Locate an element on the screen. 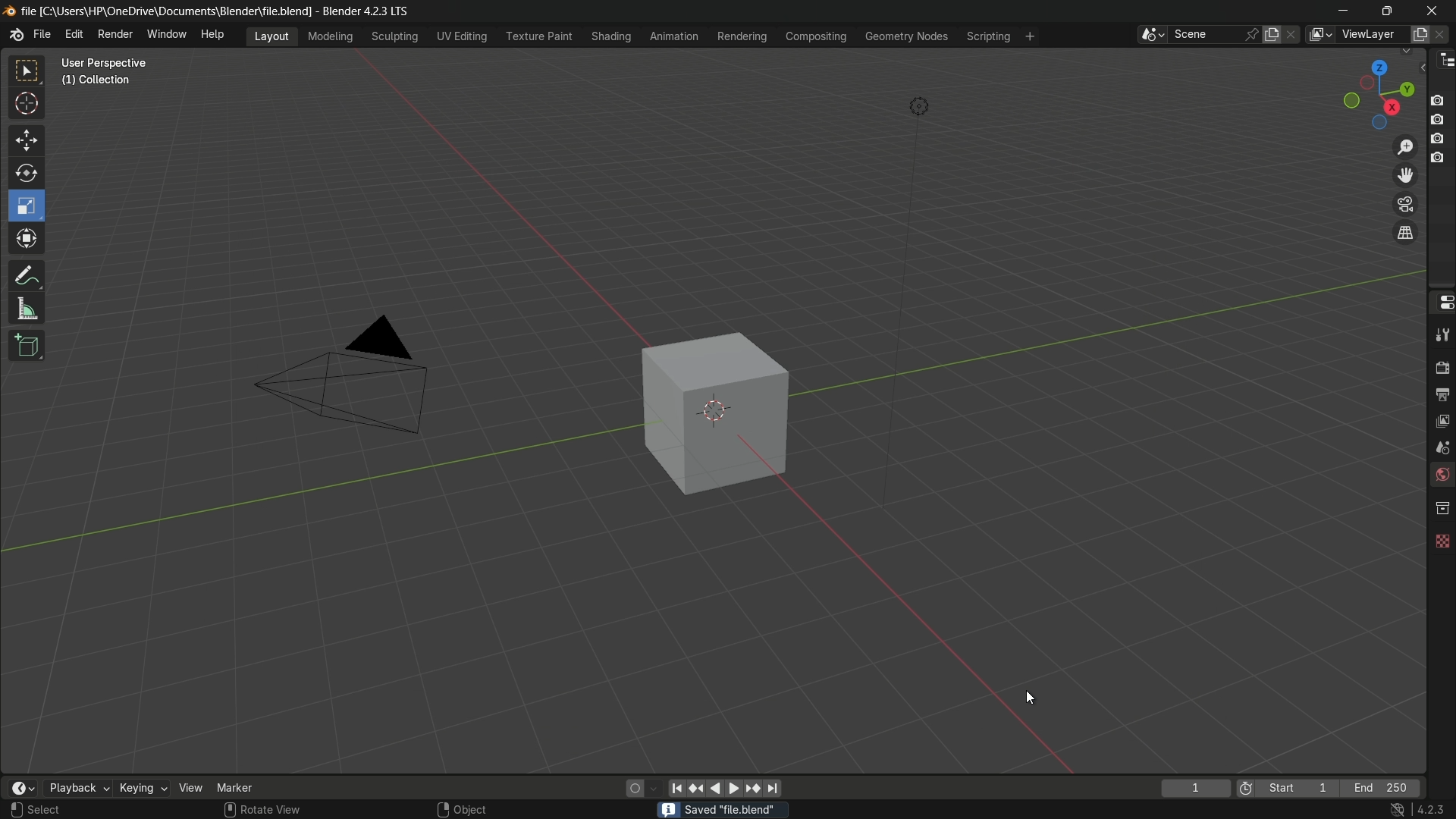 The image size is (1456, 819). scale is located at coordinates (29, 206).